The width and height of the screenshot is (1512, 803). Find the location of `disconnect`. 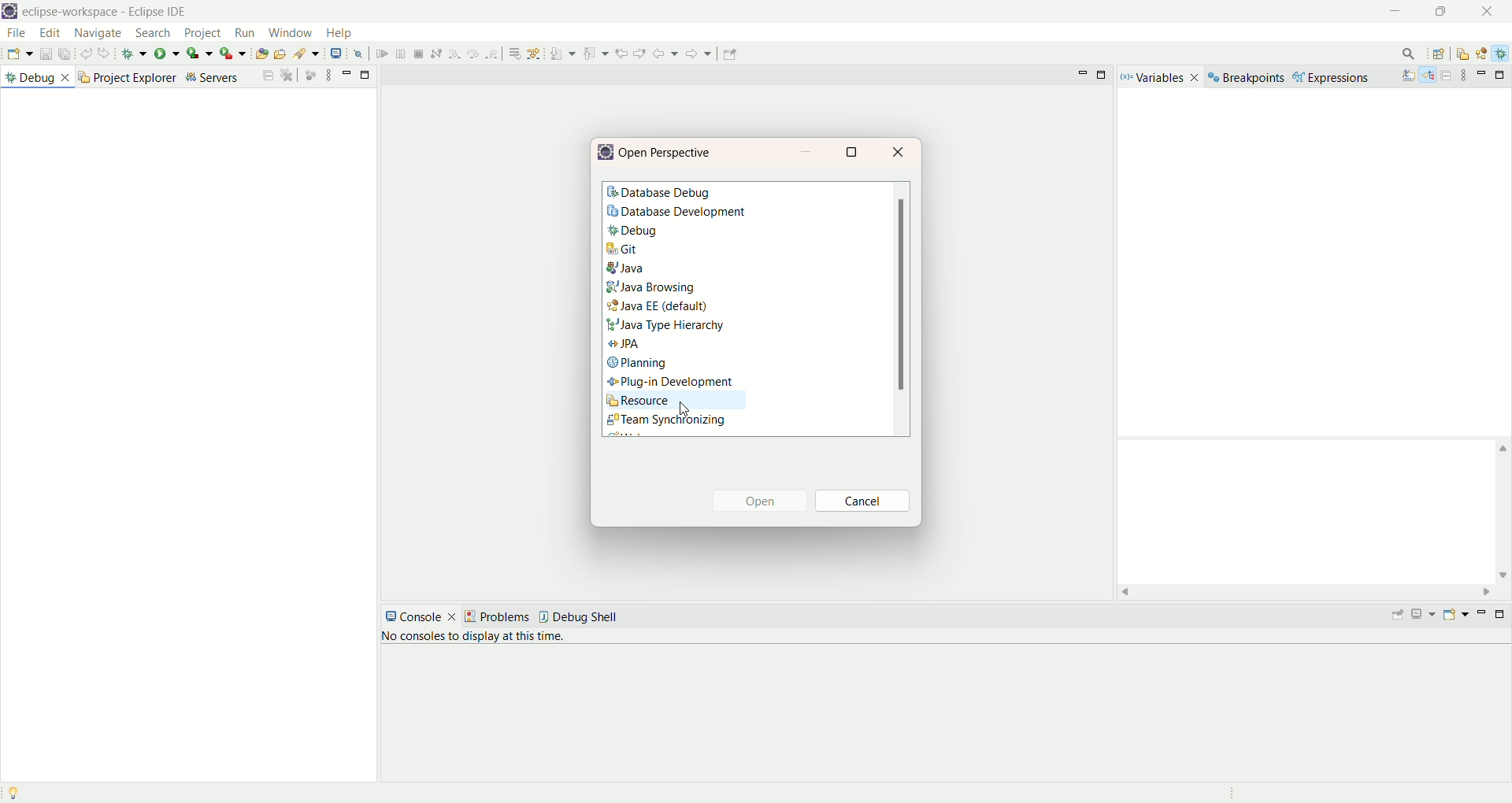

disconnect is located at coordinates (550, 53).